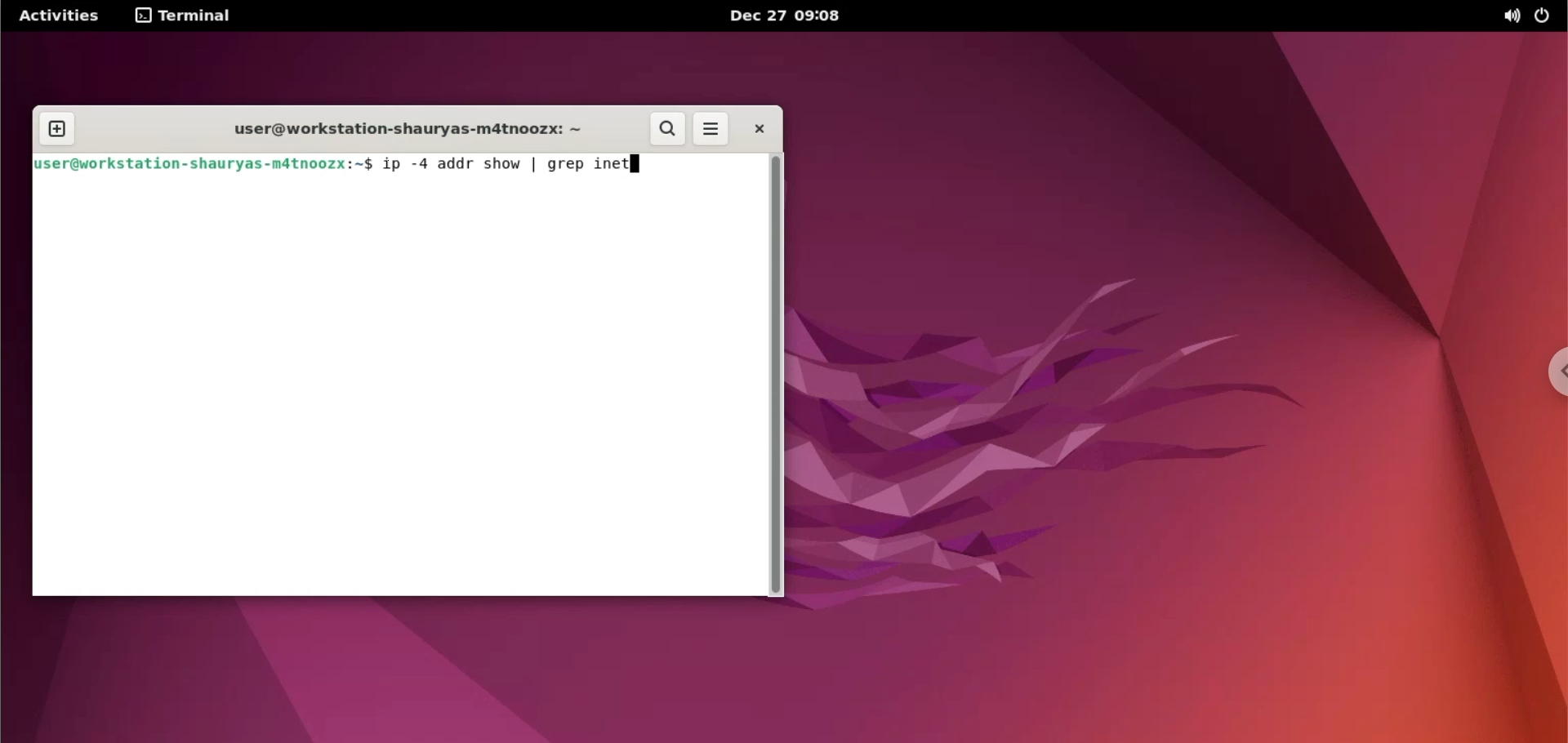  What do you see at coordinates (668, 131) in the screenshot?
I see `search` at bounding box center [668, 131].